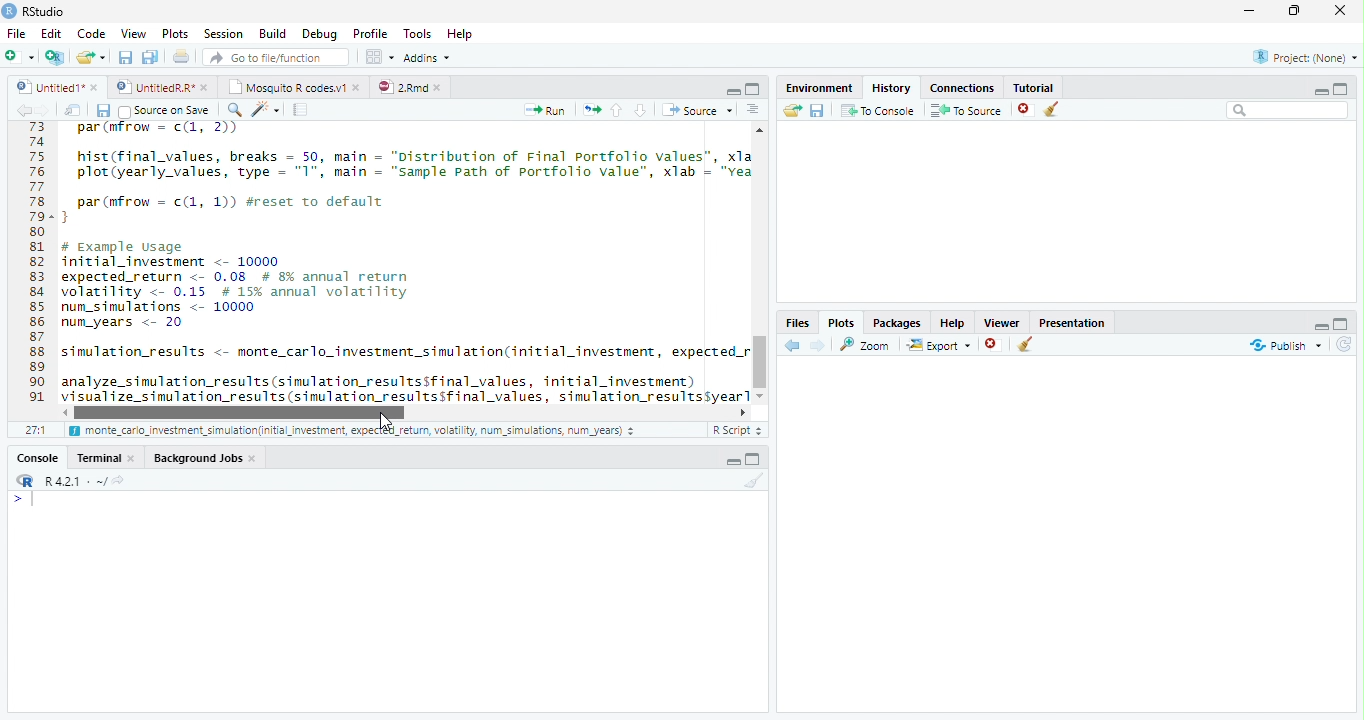  Describe the element at coordinates (402, 264) in the screenshot. I see `Code` at that location.